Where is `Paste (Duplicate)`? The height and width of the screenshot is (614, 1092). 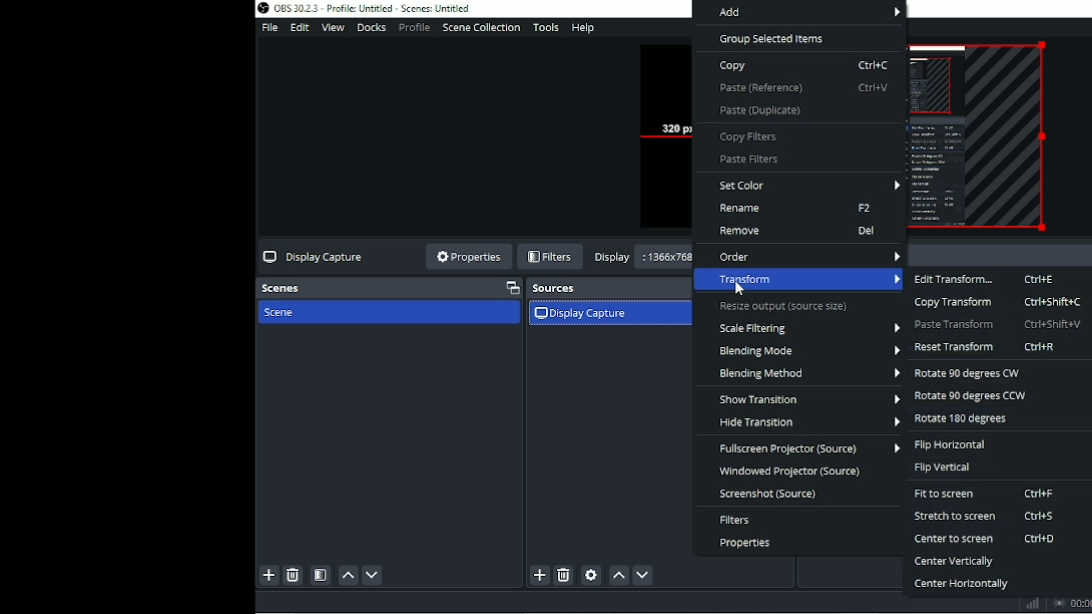
Paste (Duplicate) is located at coordinates (760, 111).